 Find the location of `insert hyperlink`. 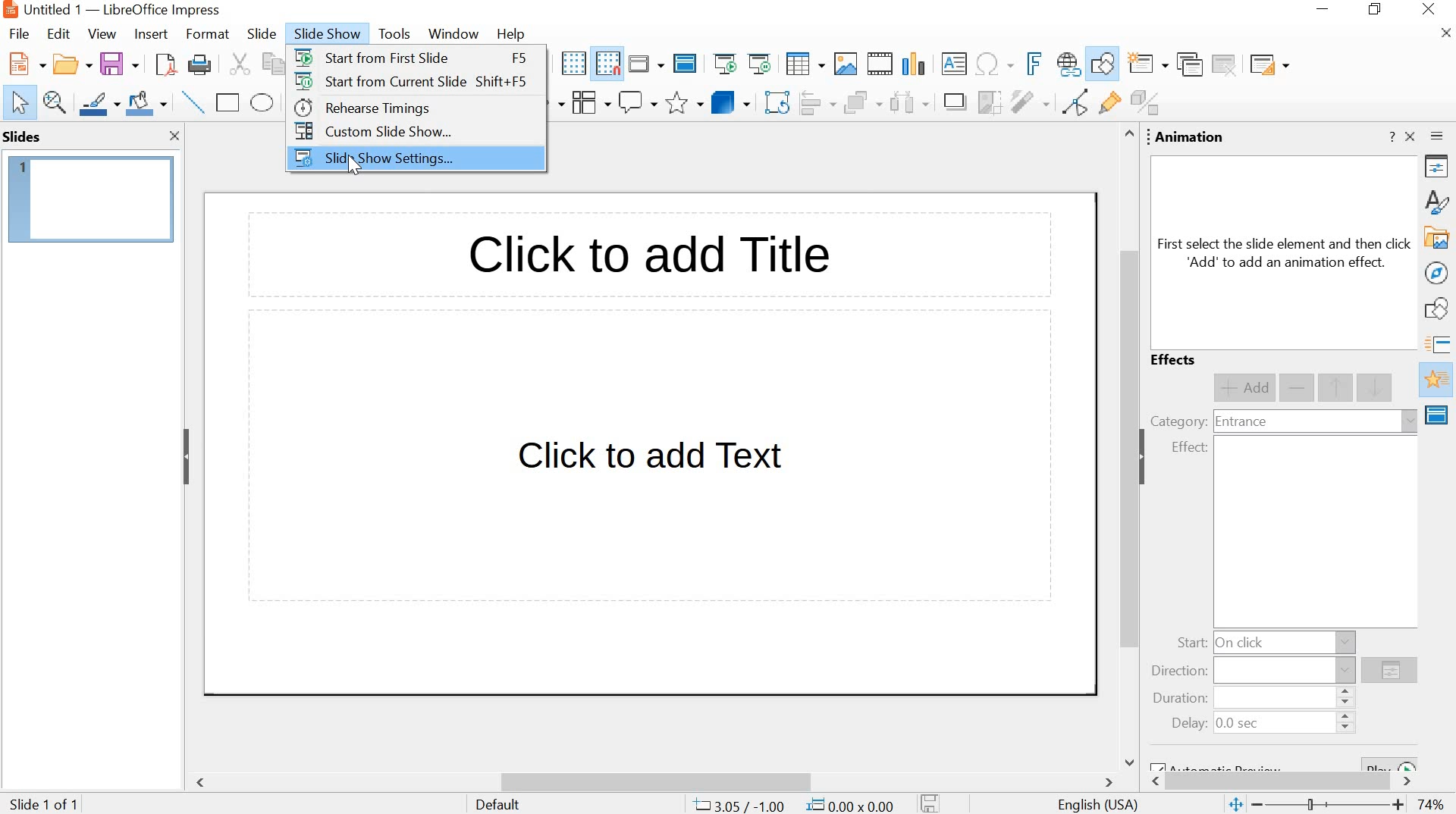

insert hyperlink is located at coordinates (1067, 65).